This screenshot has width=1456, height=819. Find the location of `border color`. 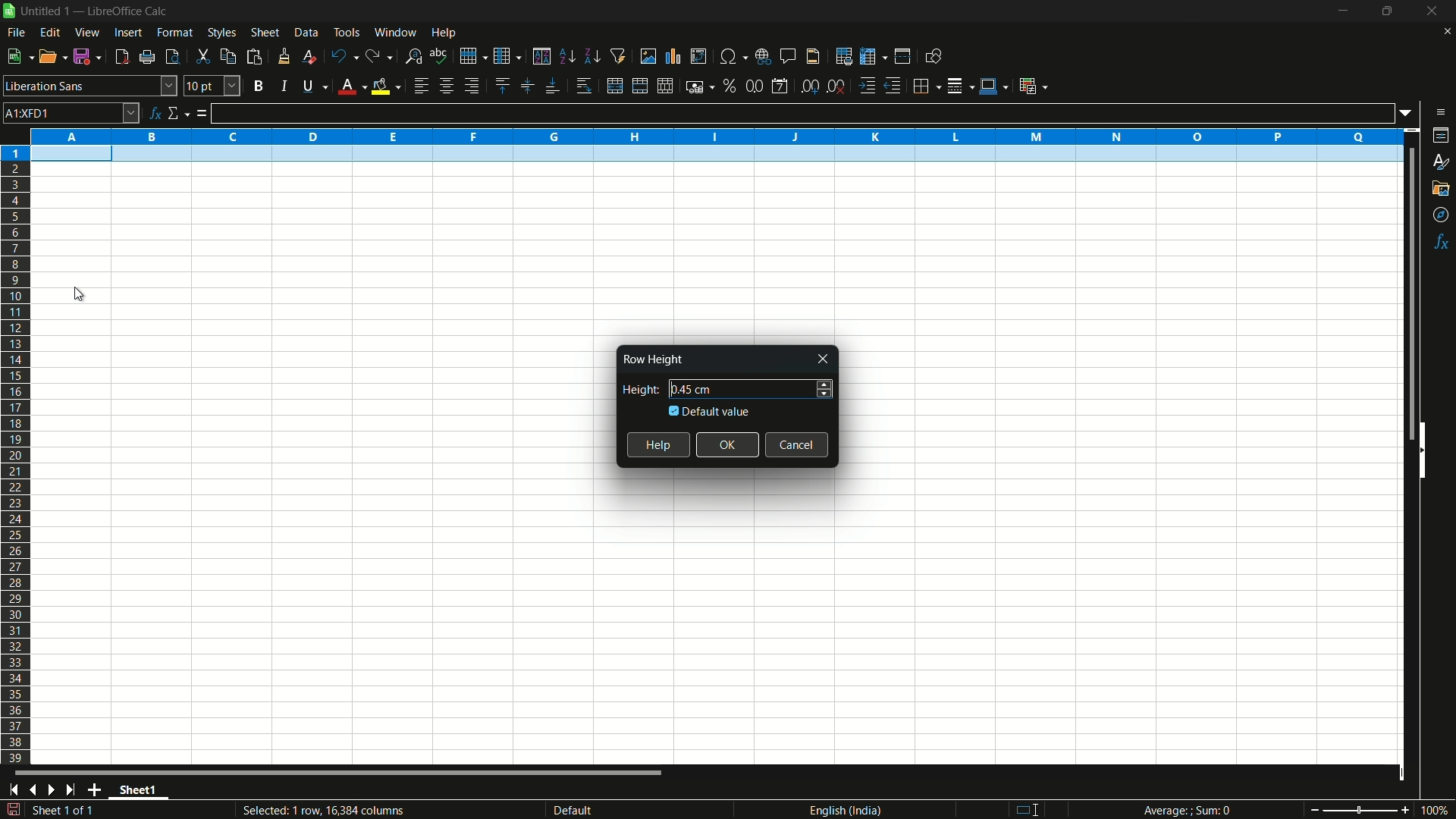

border color is located at coordinates (993, 83).